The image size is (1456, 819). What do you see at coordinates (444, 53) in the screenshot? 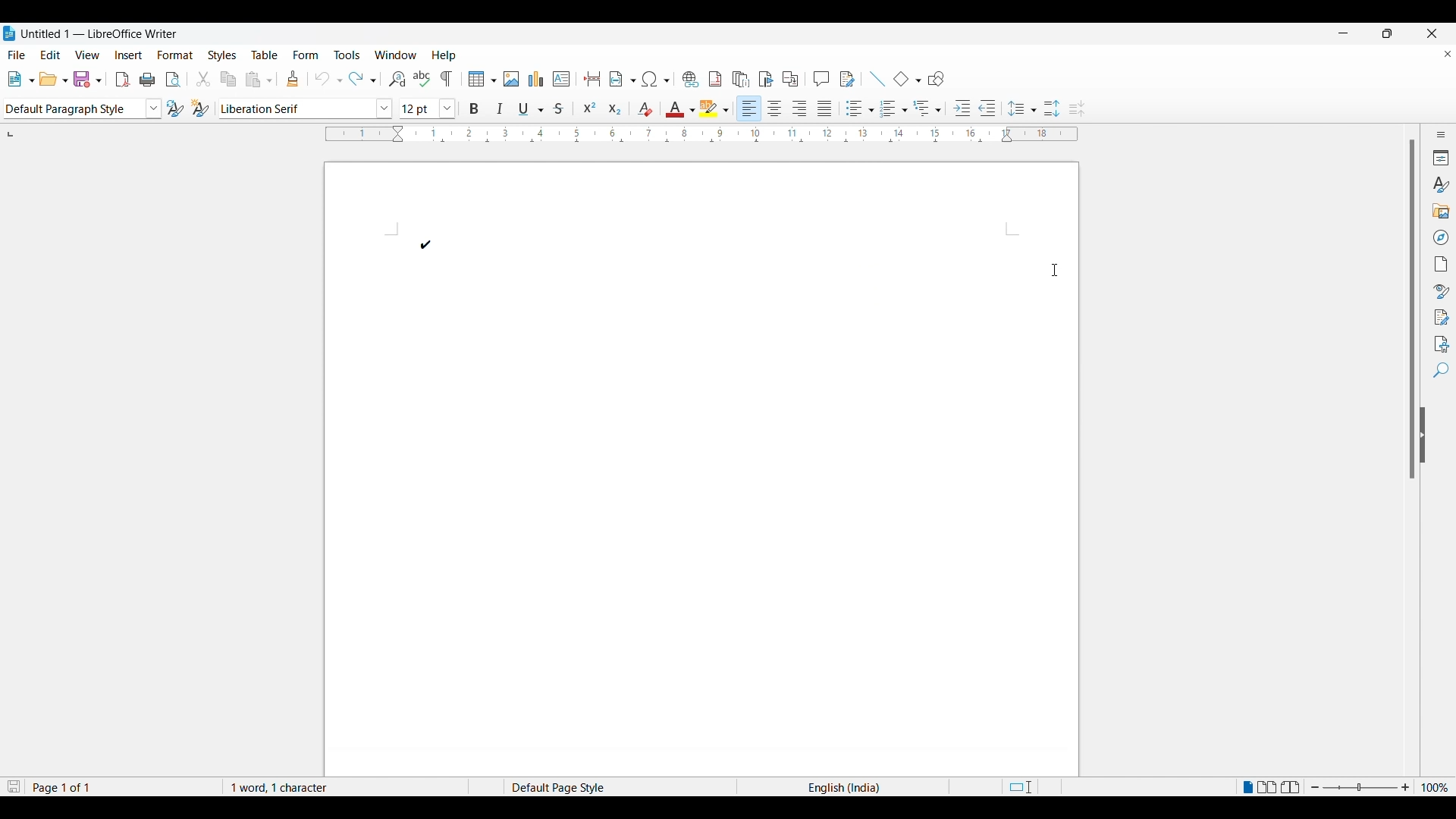
I see `Help` at bounding box center [444, 53].